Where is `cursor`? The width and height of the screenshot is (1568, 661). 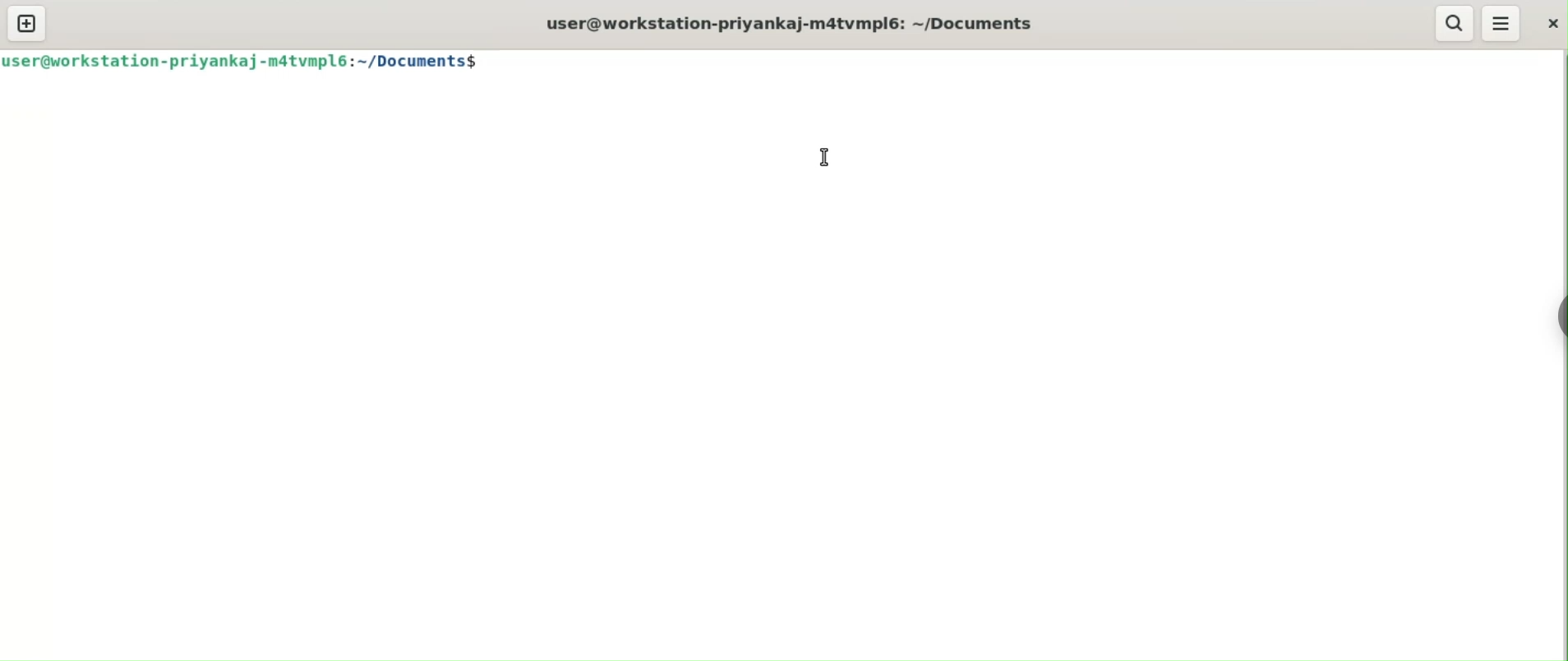 cursor is located at coordinates (823, 159).